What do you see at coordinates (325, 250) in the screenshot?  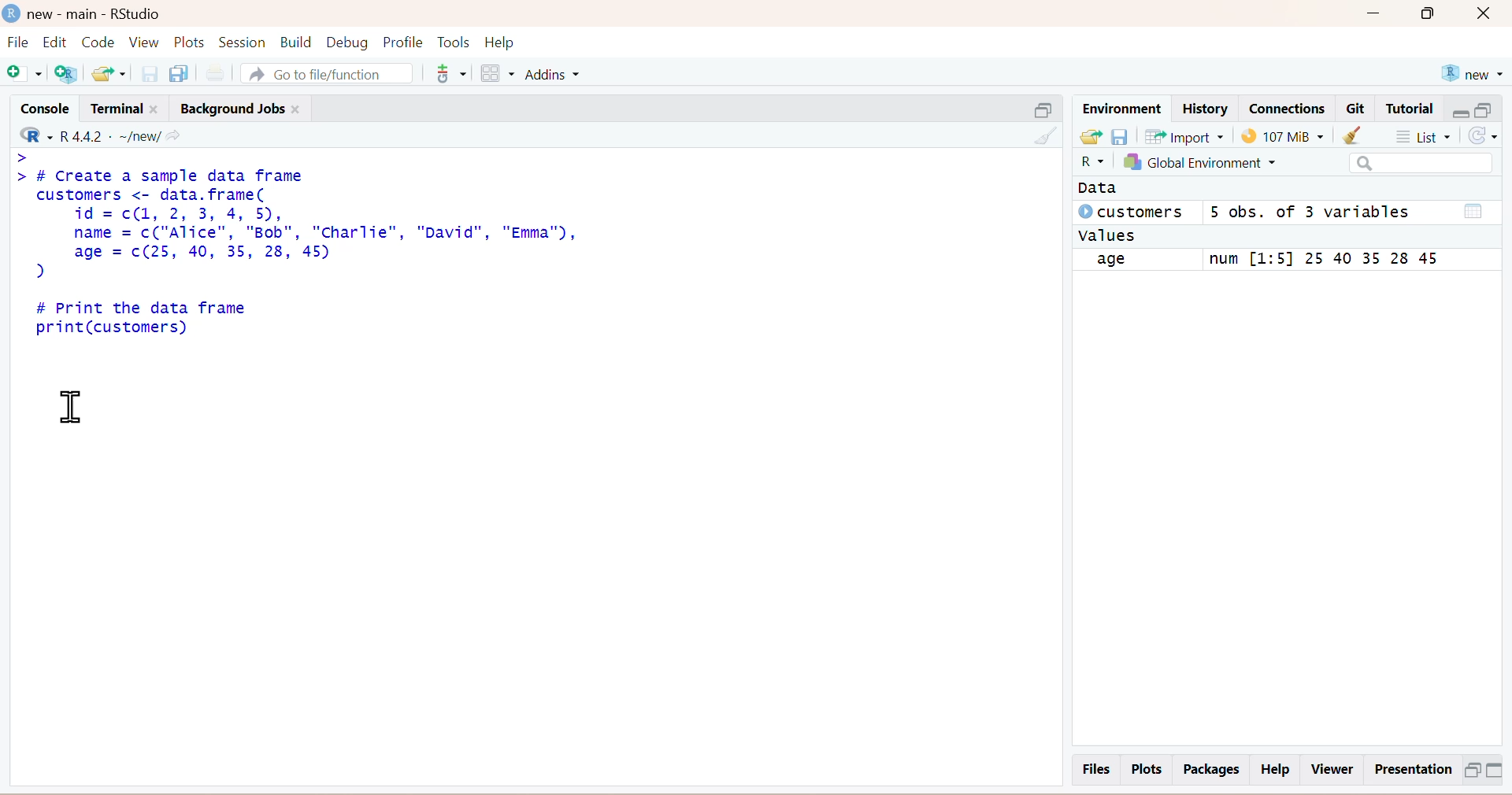 I see `>
> # Create a sample data frame
customers <- data. frame(
id = c(1, 2, 3, 4, 5),
name = c("Alice", "Bob", "Charlie", "David", "Emma"),
age = c(25, 40, 35, 28, 45)
)
# Print the data frame
print(customers)` at bounding box center [325, 250].